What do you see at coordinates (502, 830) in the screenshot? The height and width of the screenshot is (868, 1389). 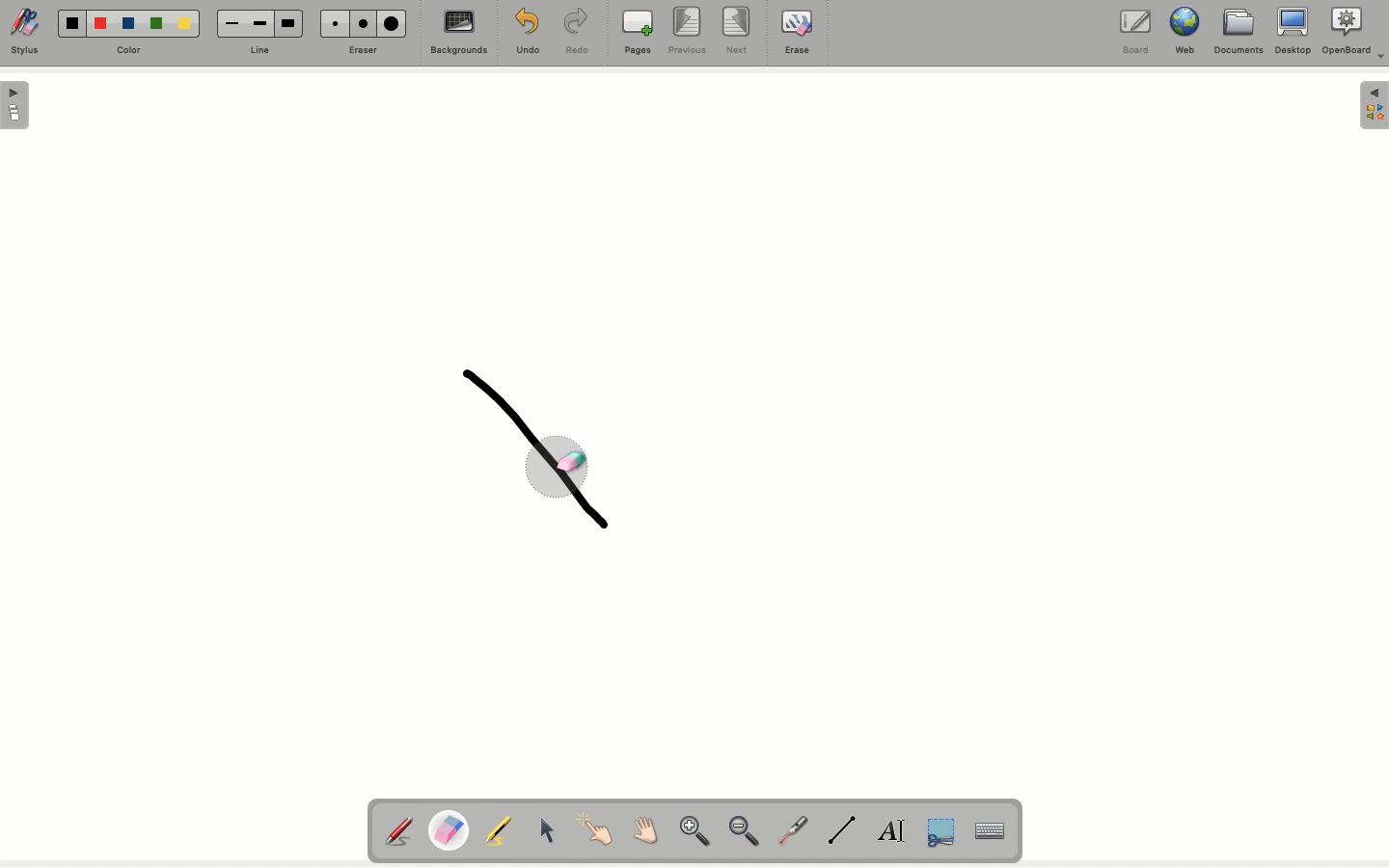 I see `Highlighter` at bounding box center [502, 830].